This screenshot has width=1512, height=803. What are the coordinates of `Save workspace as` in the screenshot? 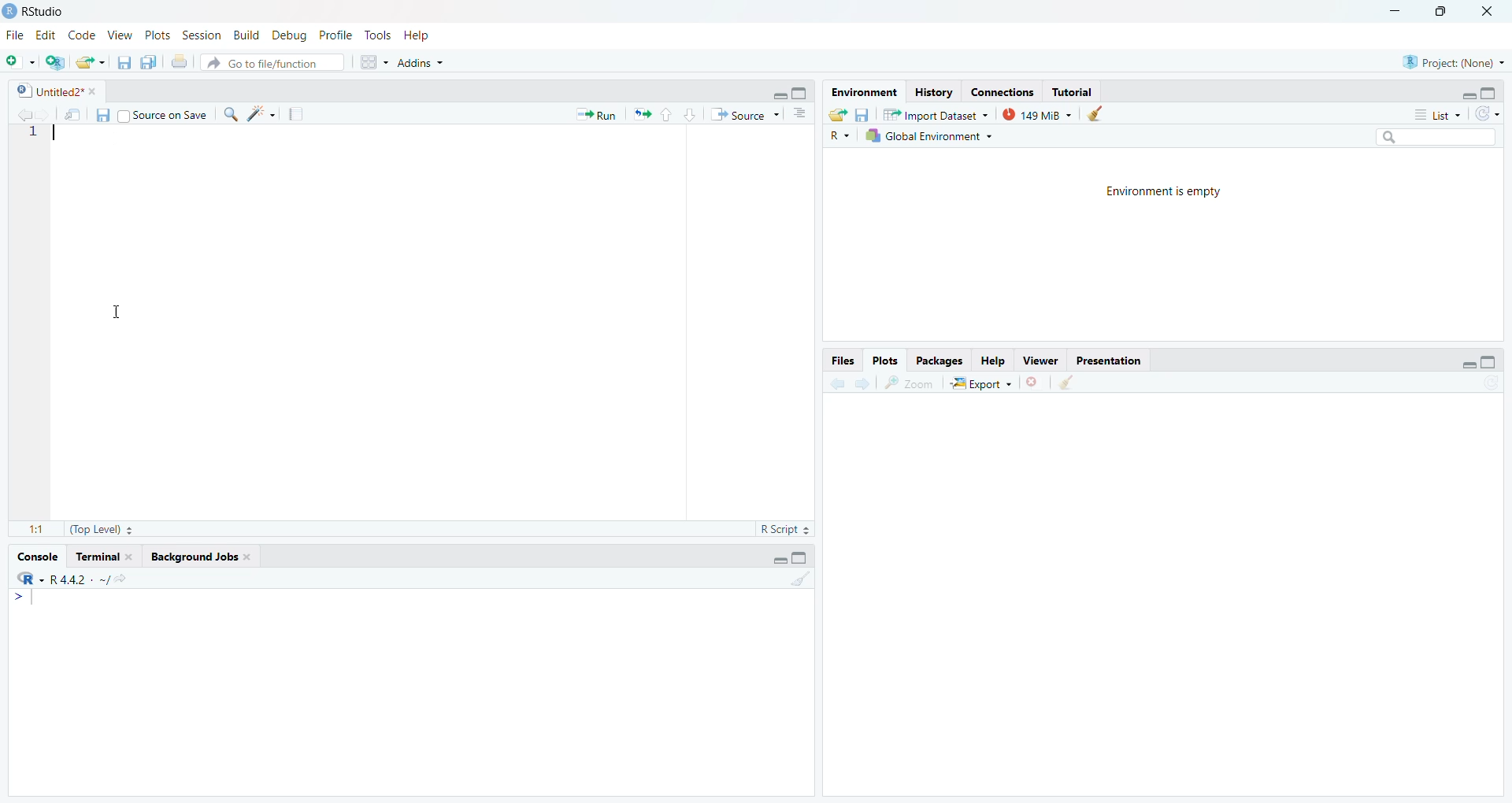 It's located at (862, 113).